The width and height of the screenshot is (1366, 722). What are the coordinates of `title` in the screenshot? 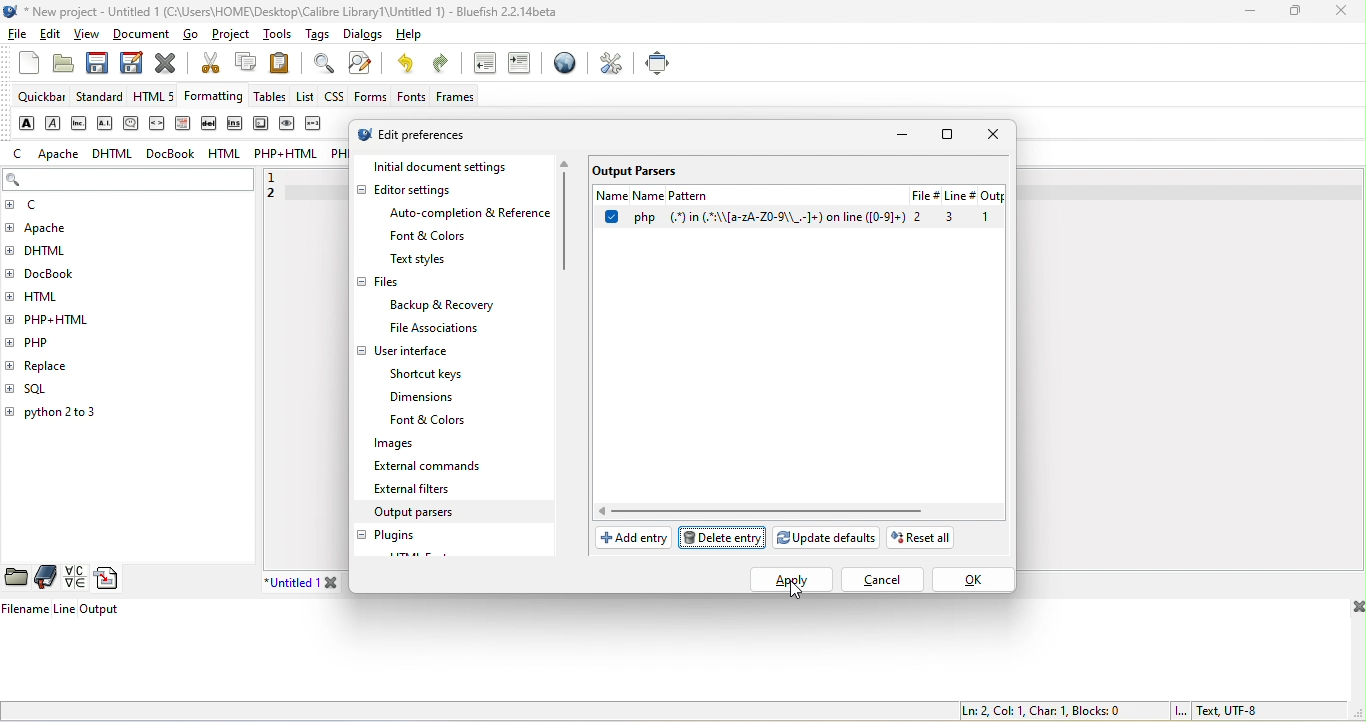 It's located at (282, 9).